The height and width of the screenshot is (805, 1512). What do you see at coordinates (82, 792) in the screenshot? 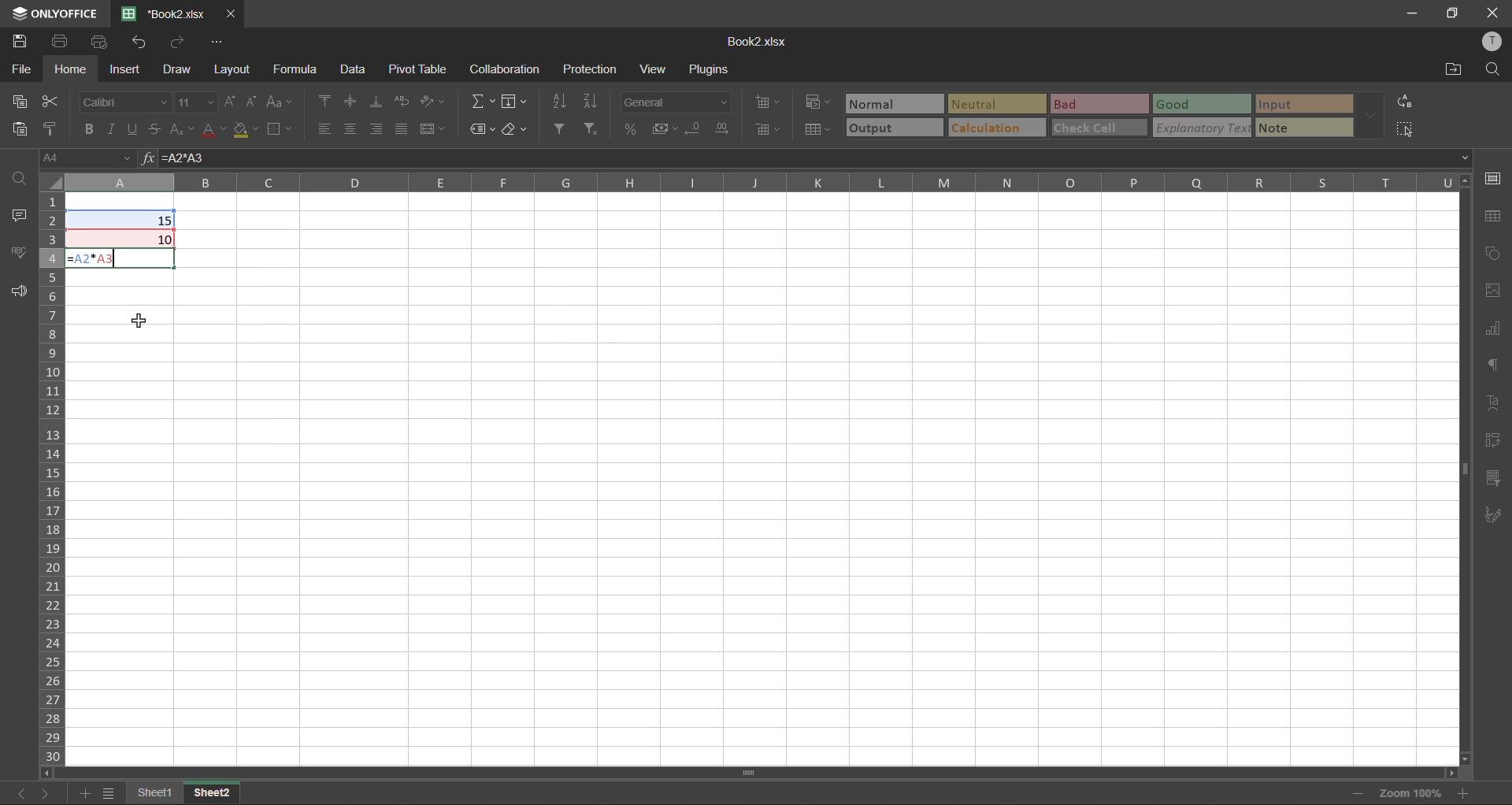
I see `add sheet` at bounding box center [82, 792].